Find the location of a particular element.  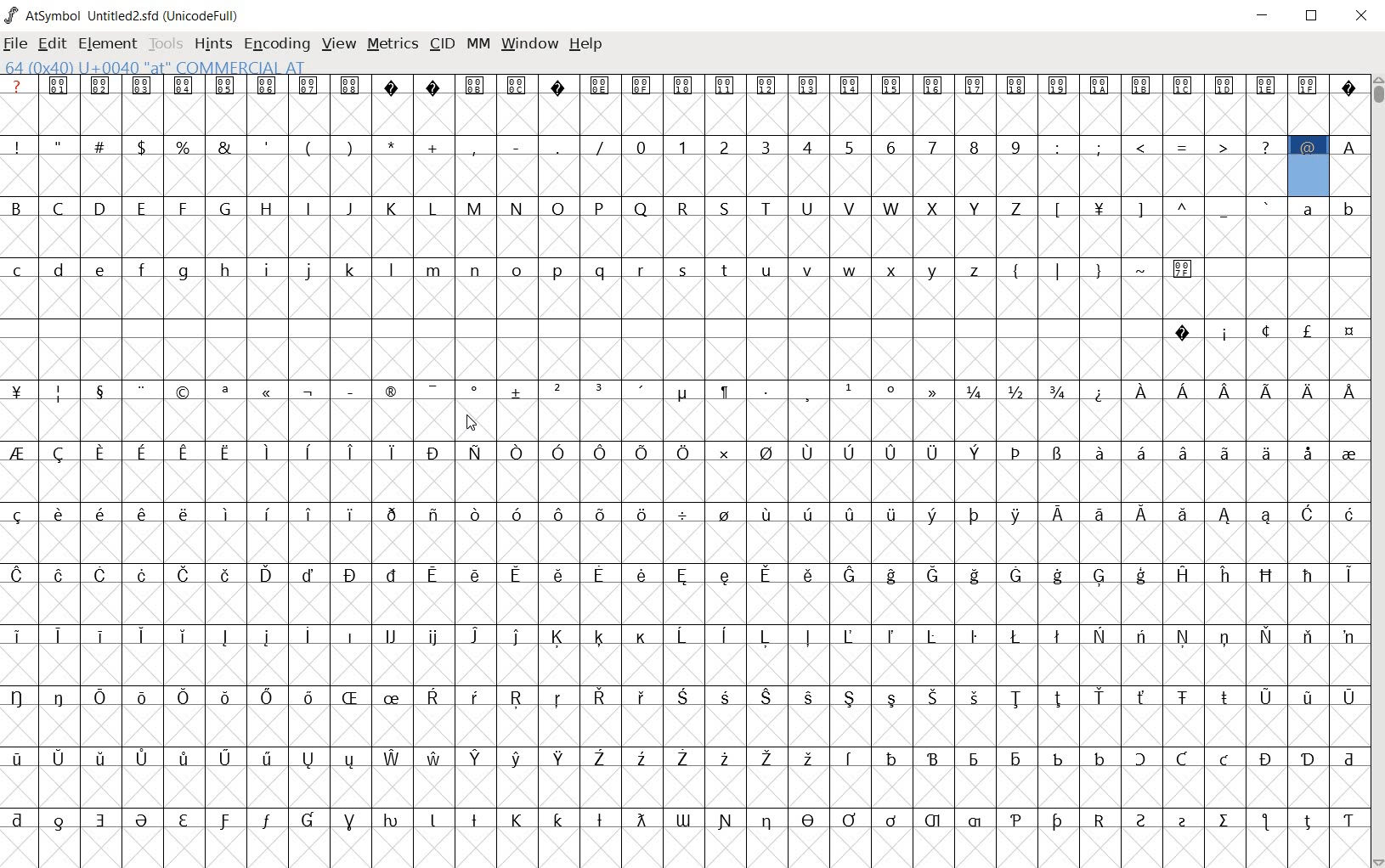

empty glyph slots is located at coordinates (1348, 176).